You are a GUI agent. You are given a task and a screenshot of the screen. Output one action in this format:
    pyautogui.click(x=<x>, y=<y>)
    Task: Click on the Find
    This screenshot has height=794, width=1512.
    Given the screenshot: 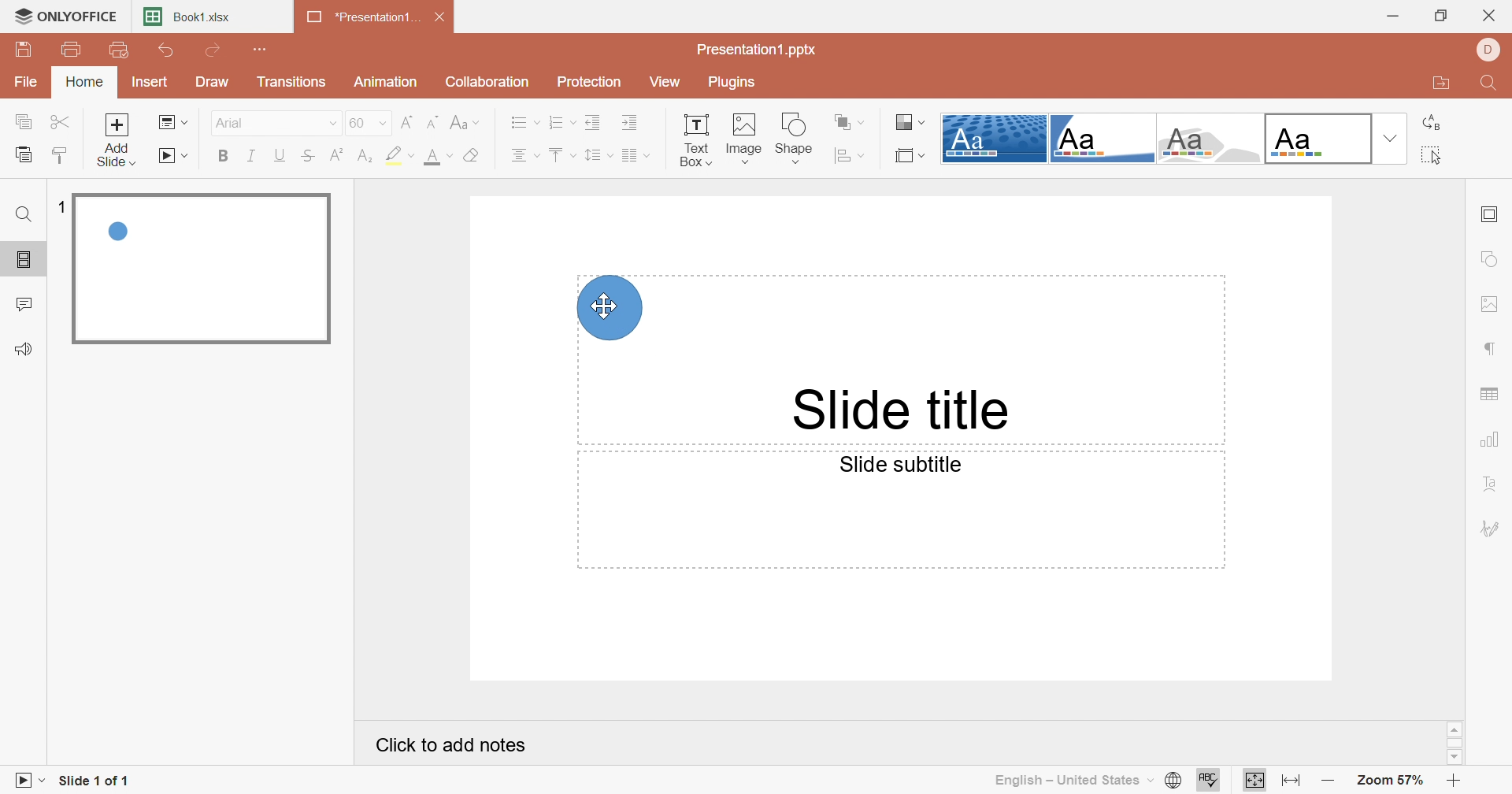 What is the action you would take?
    pyautogui.click(x=1492, y=83)
    